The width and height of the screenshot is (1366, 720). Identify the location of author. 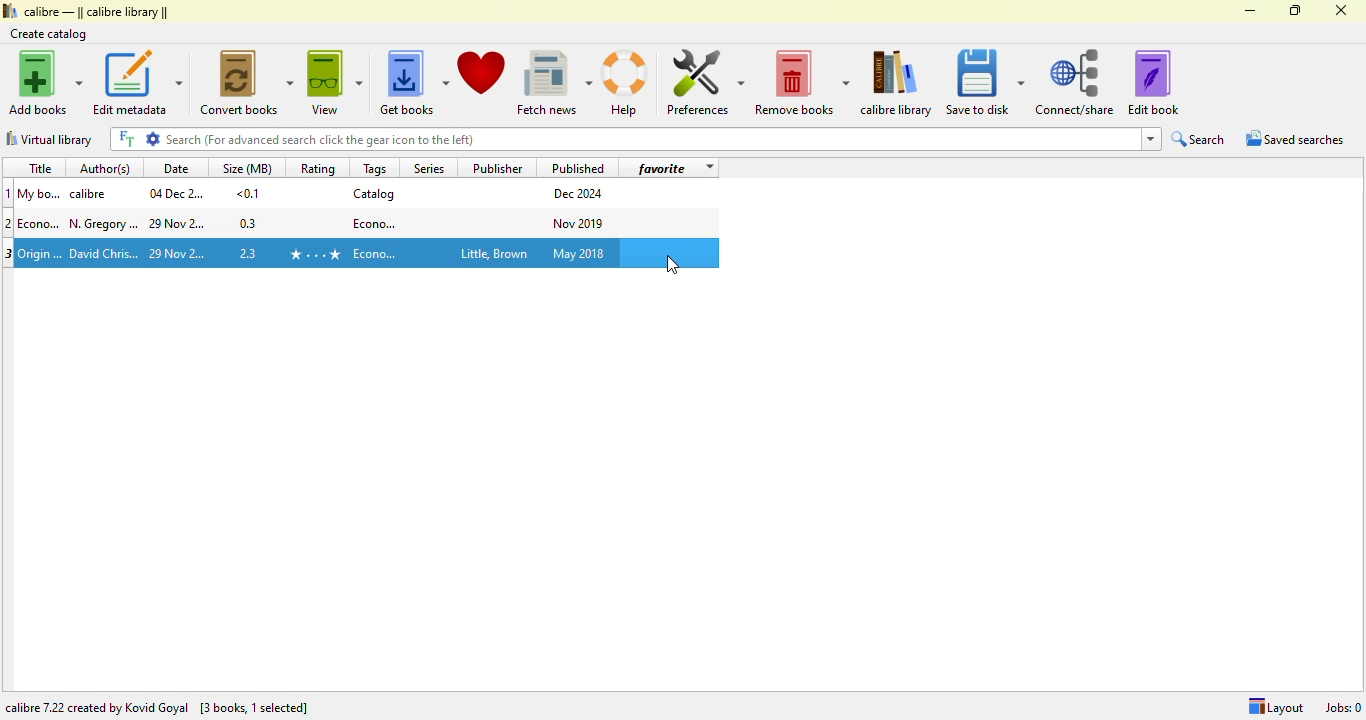
(104, 224).